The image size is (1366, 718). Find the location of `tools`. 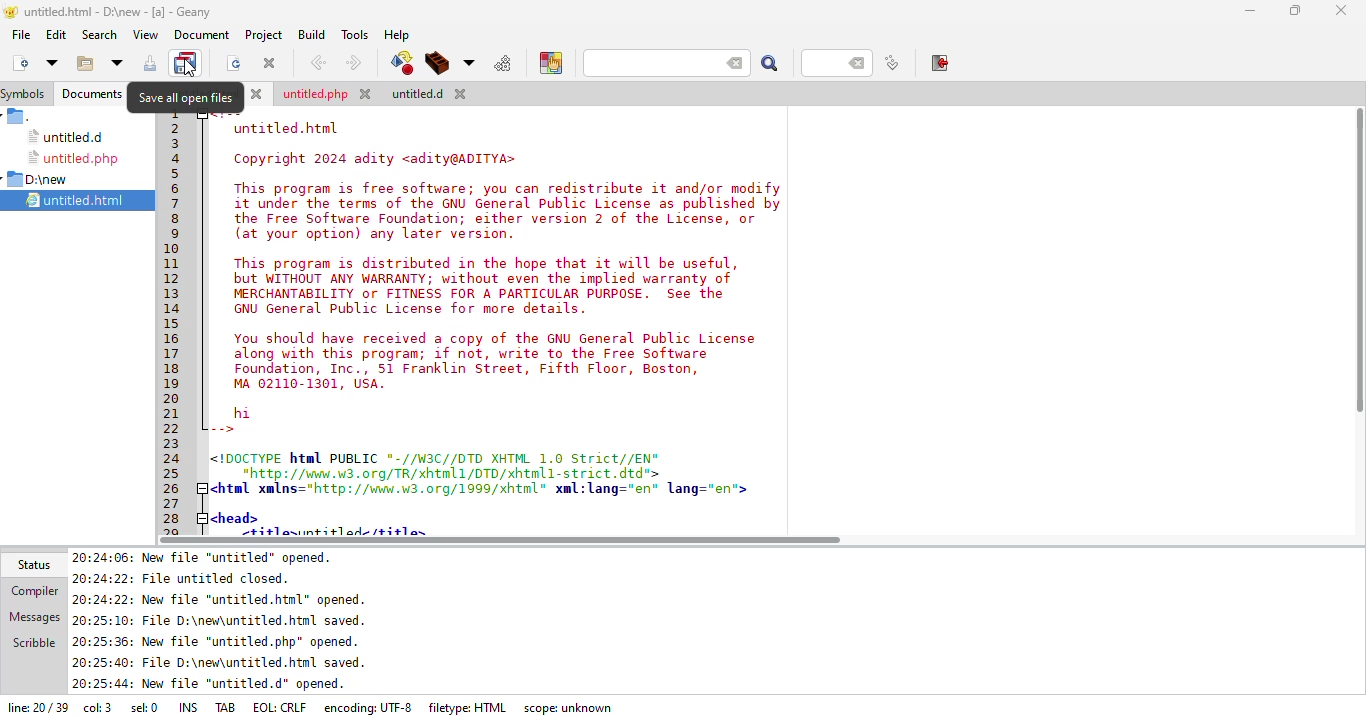

tools is located at coordinates (357, 35).